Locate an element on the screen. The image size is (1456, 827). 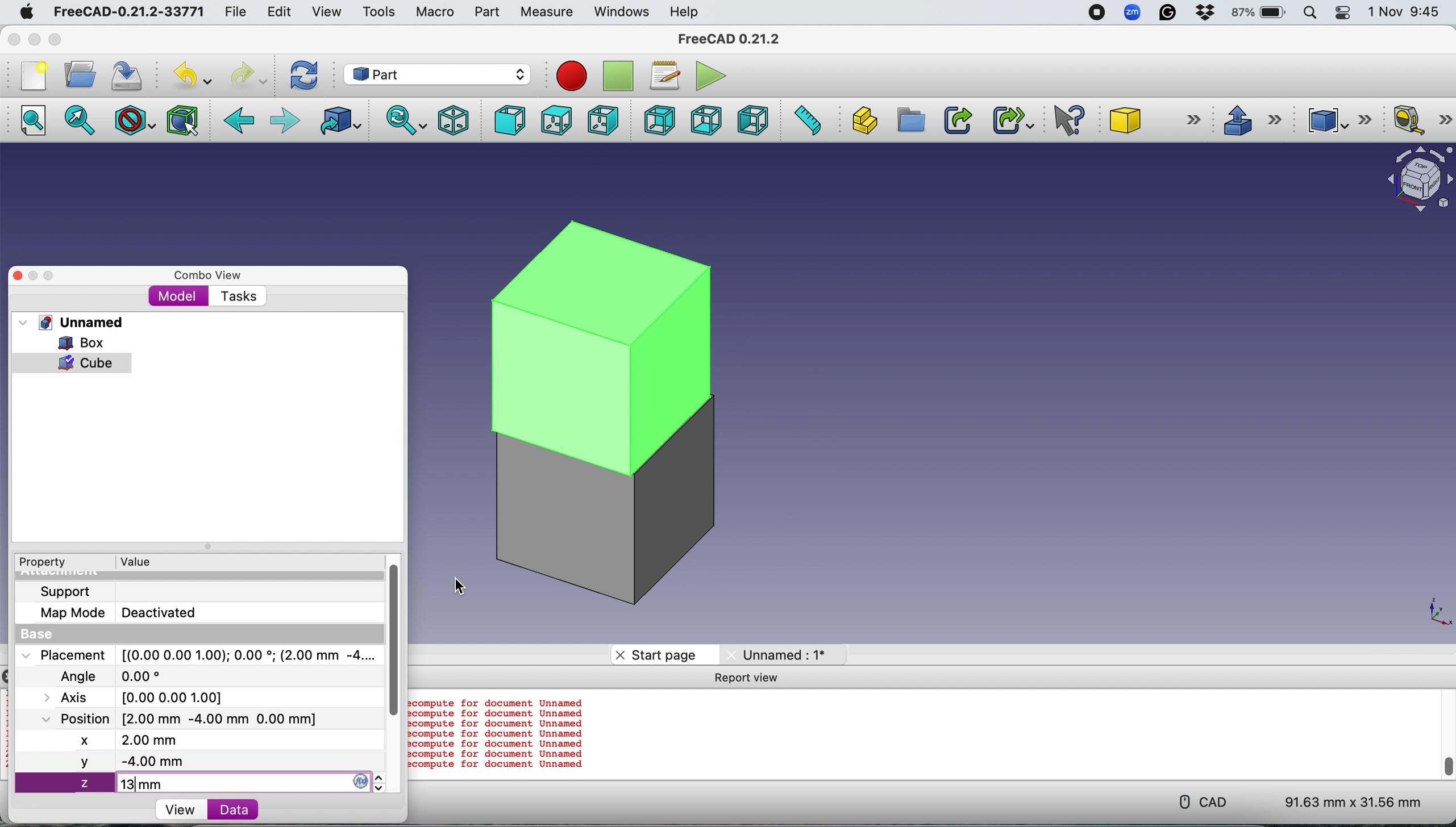
Zoom is located at coordinates (1133, 14).